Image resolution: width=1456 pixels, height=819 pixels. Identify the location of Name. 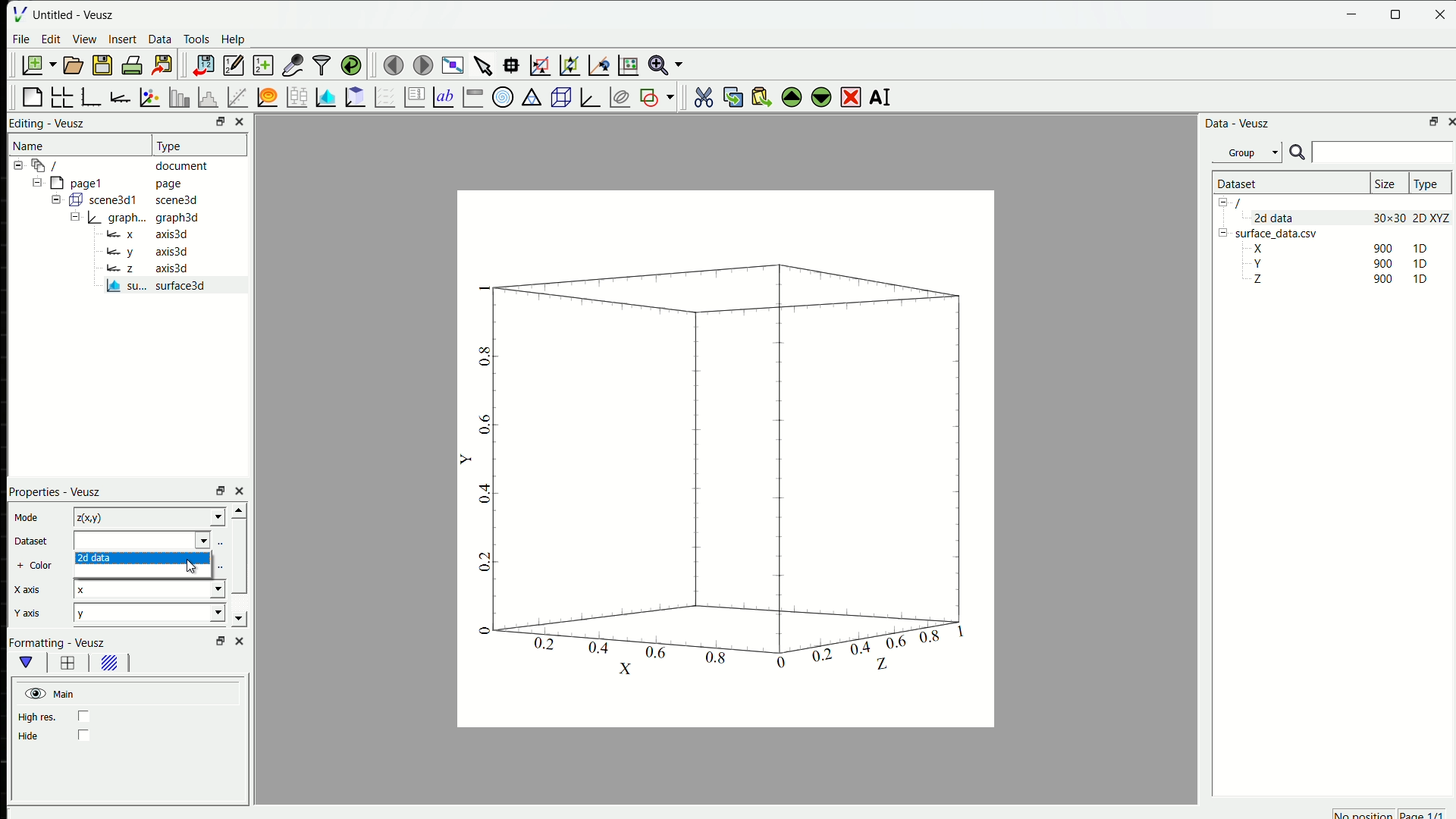
(29, 146).